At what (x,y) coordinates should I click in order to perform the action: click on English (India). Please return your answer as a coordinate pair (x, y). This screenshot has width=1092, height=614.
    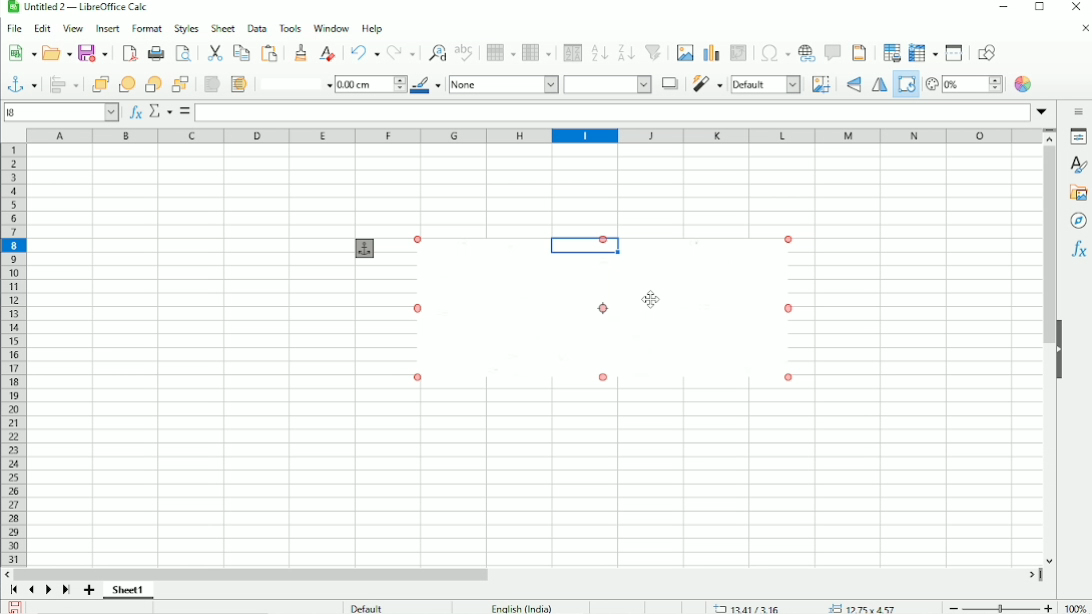
    Looking at the image, I should click on (520, 607).